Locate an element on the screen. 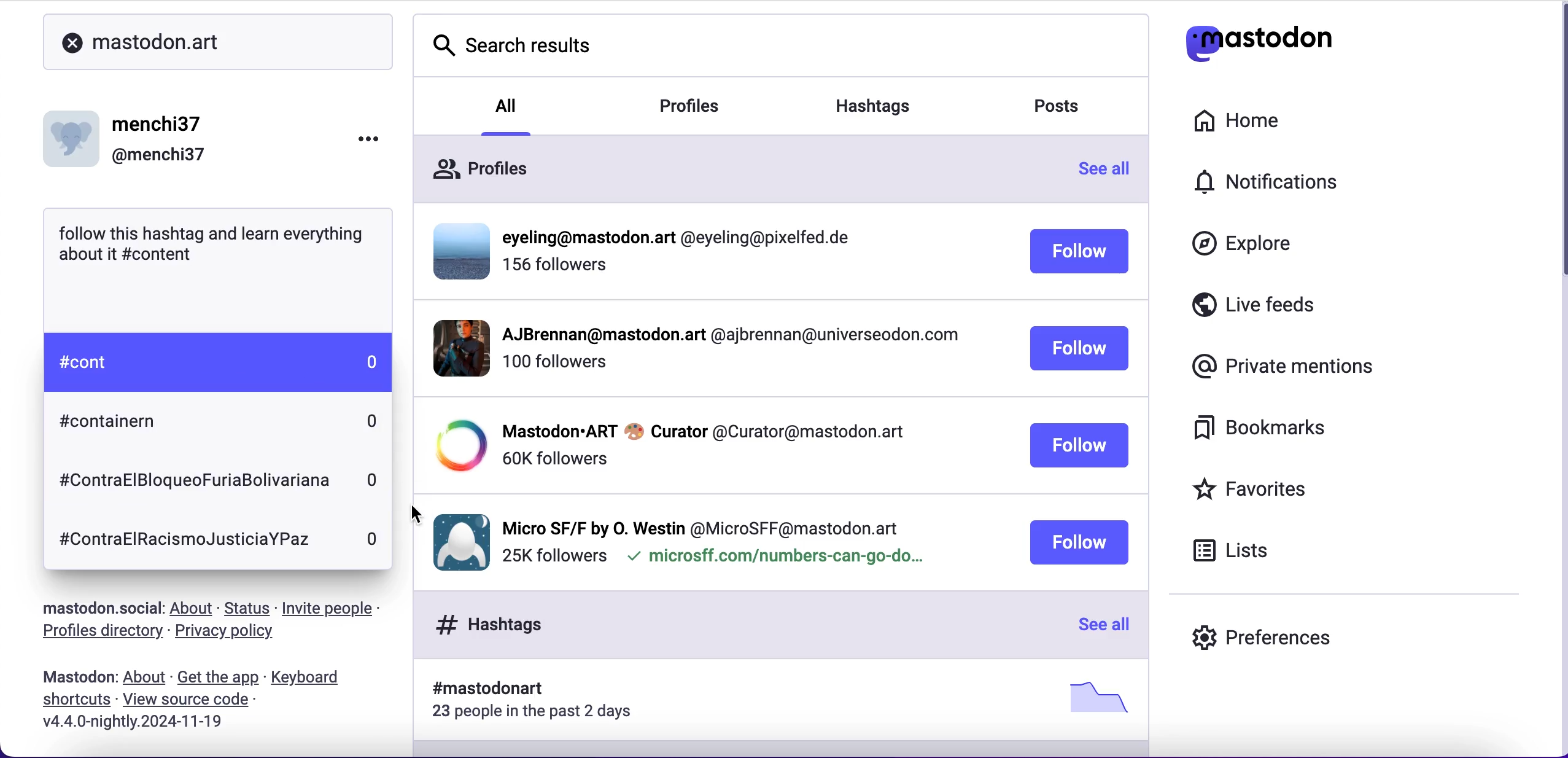 This screenshot has height=758, width=1568. followers is located at coordinates (554, 459).